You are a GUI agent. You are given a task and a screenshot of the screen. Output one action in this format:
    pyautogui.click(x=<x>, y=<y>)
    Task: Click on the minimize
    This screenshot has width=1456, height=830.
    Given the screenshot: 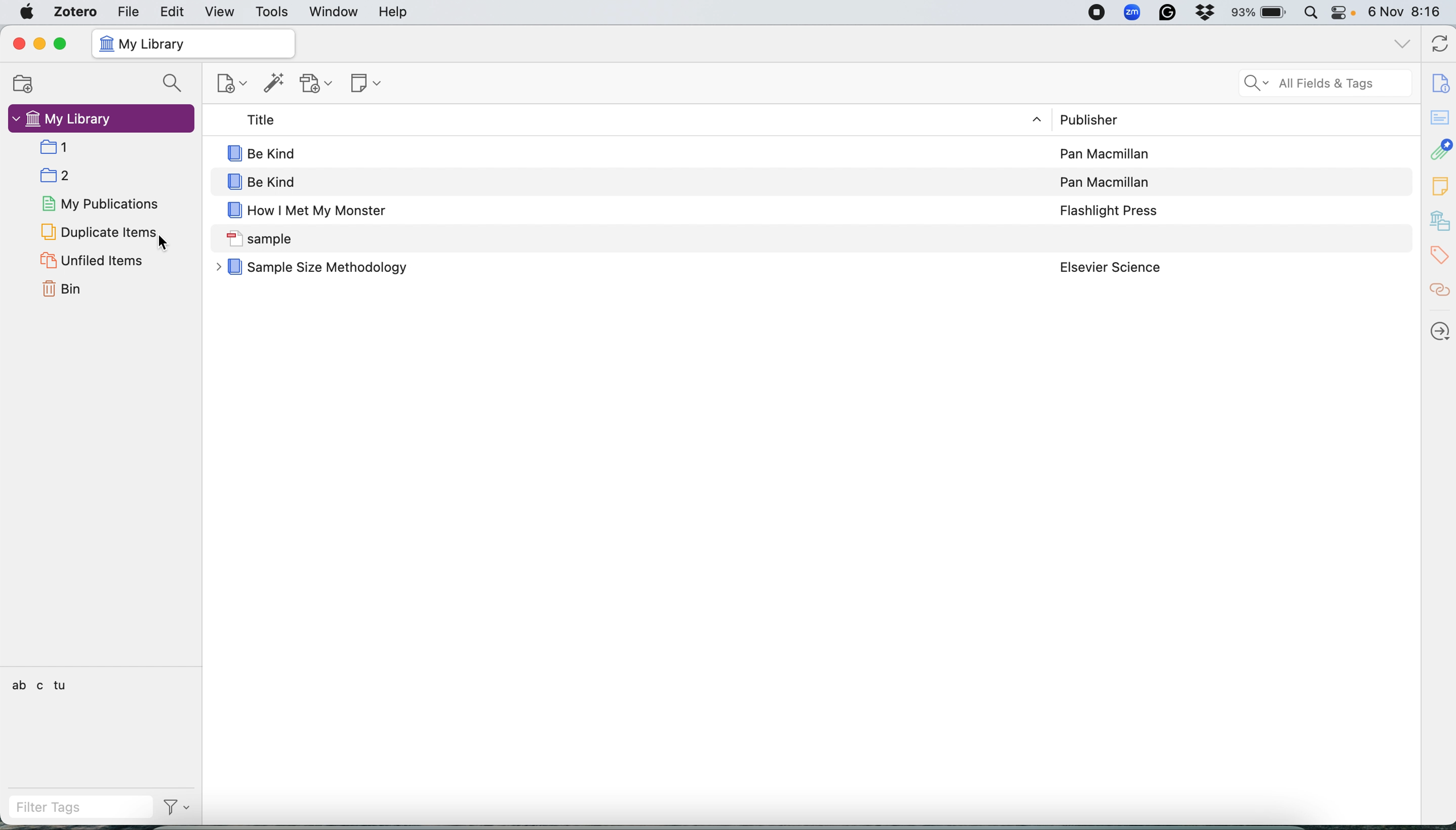 What is the action you would take?
    pyautogui.click(x=39, y=43)
    